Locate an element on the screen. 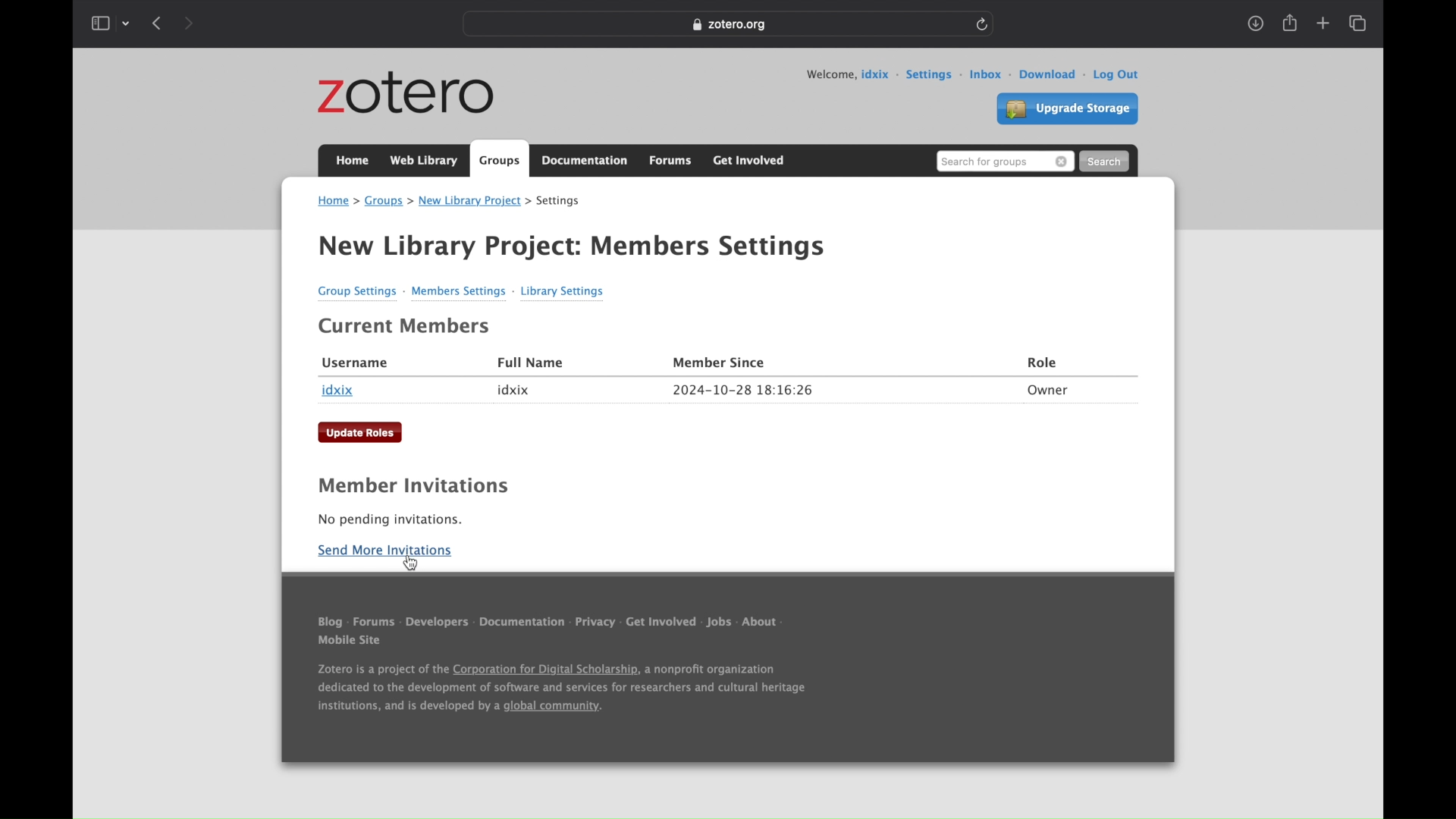 This screenshot has width=1456, height=819. update is located at coordinates (361, 432).